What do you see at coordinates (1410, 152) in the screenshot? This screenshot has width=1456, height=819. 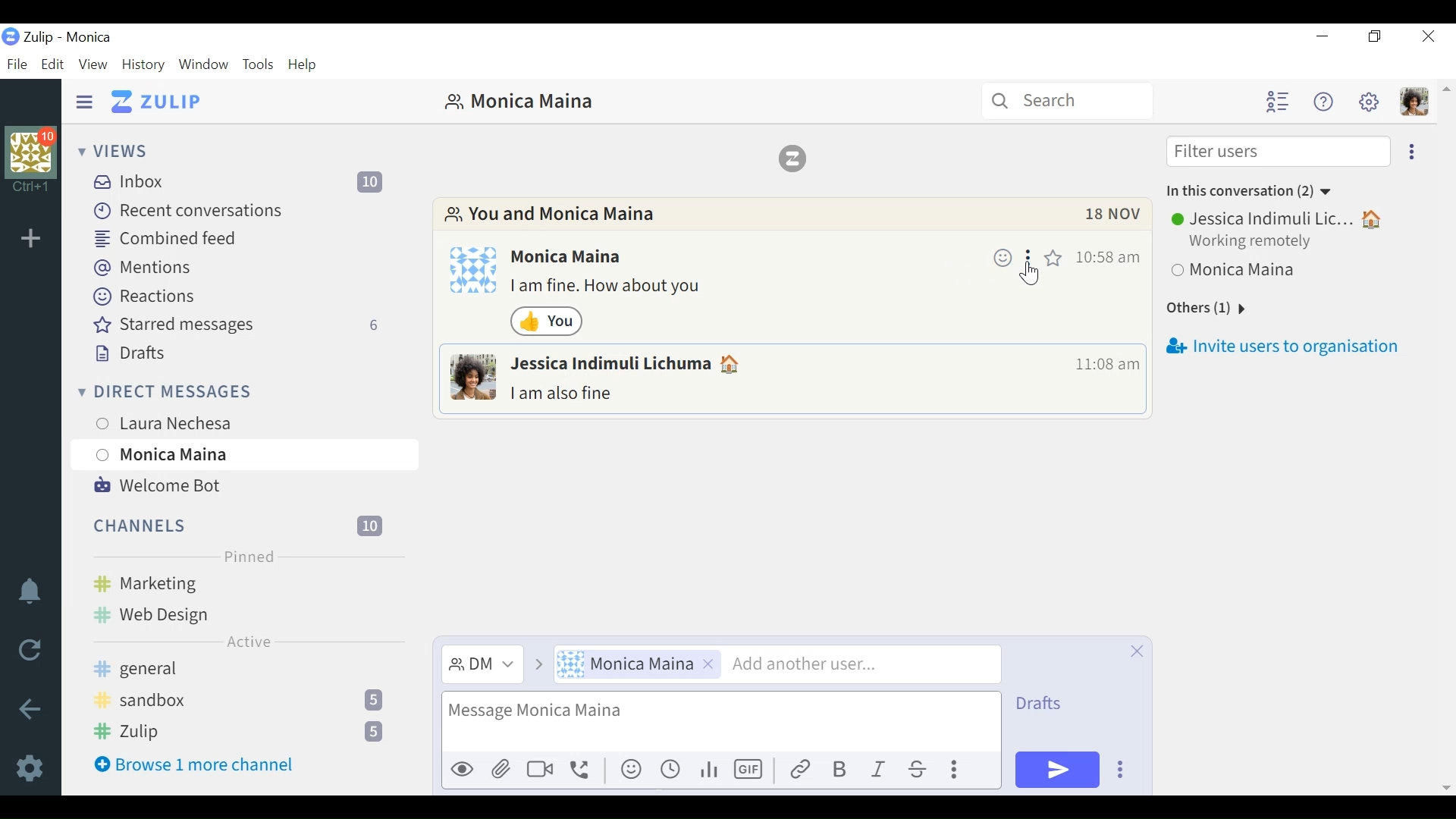 I see `Ellipsis` at bounding box center [1410, 152].